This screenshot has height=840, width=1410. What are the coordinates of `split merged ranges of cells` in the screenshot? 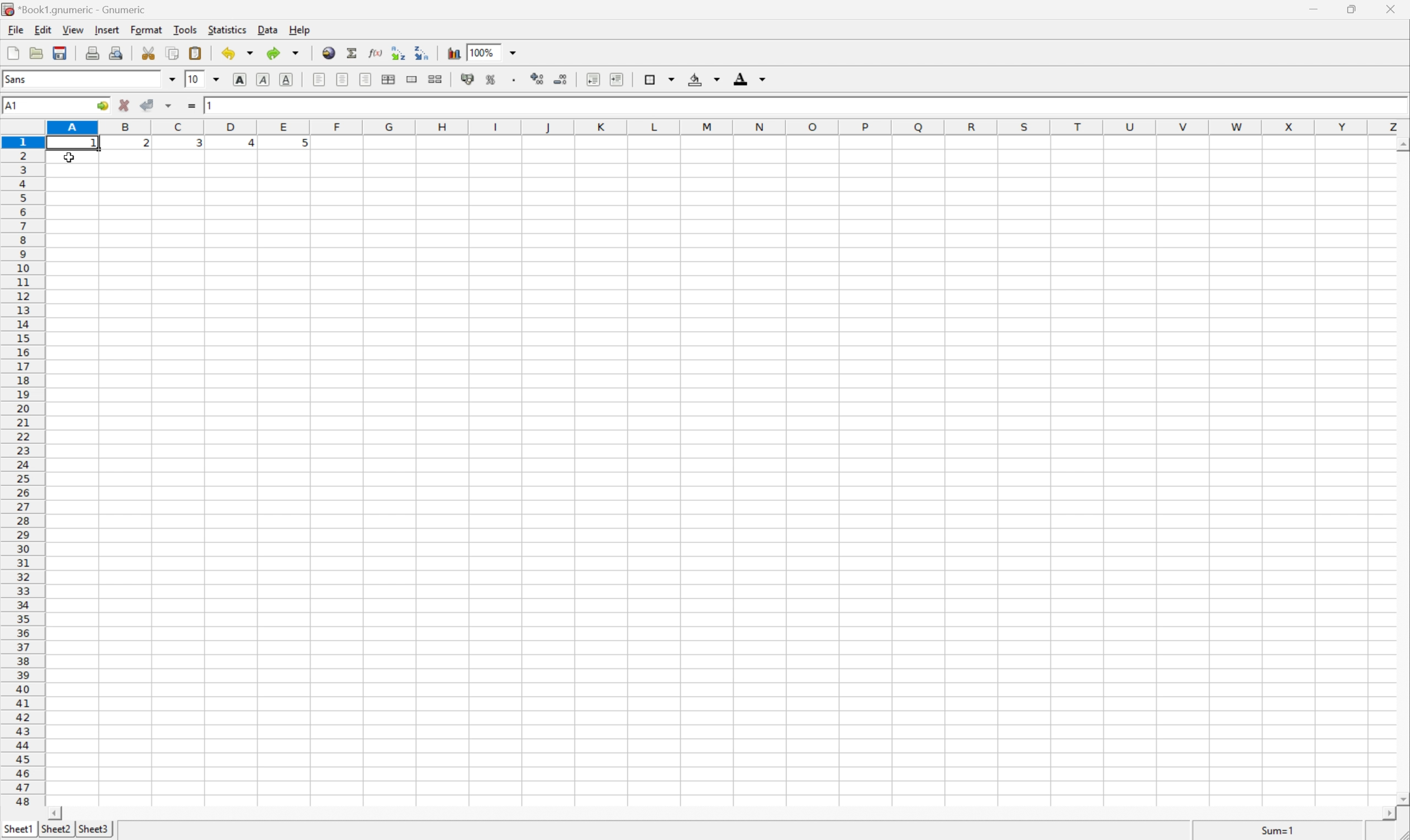 It's located at (437, 78).